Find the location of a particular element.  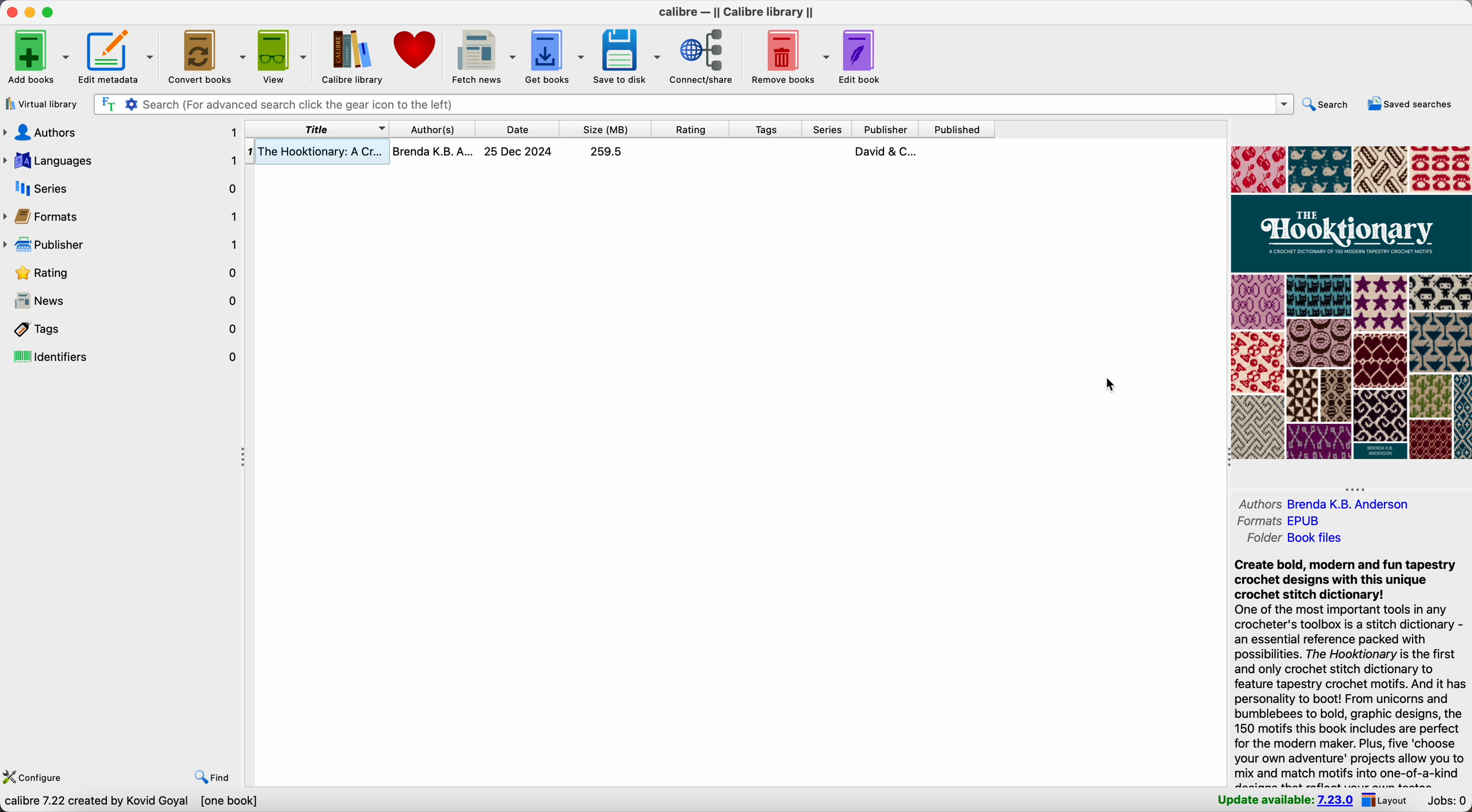

series is located at coordinates (825, 129).